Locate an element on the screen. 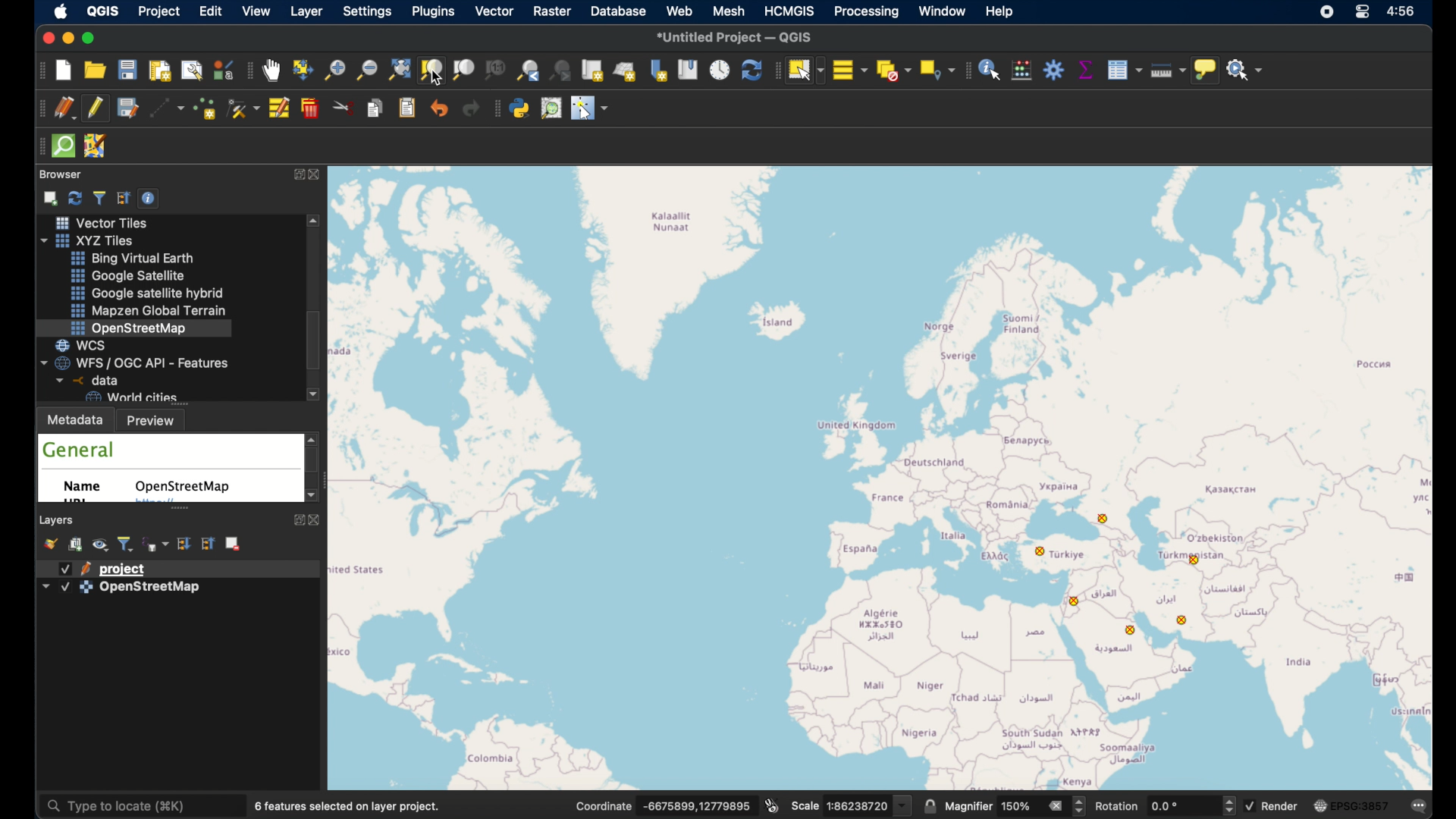 This screenshot has height=819, width=1456. zoom out is located at coordinates (366, 69).